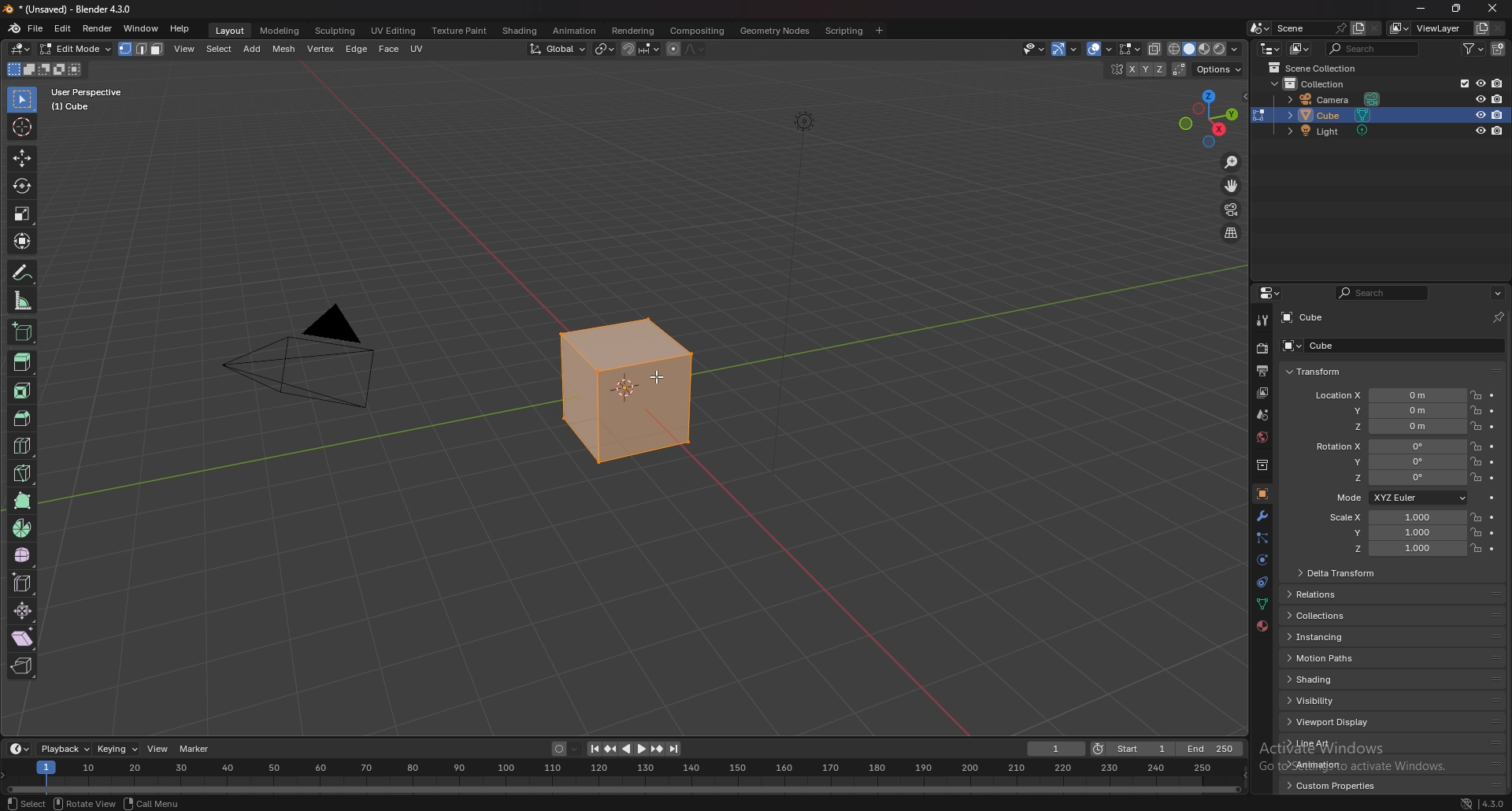 The height and width of the screenshot is (811, 1512). I want to click on animate property, so click(1493, 462).